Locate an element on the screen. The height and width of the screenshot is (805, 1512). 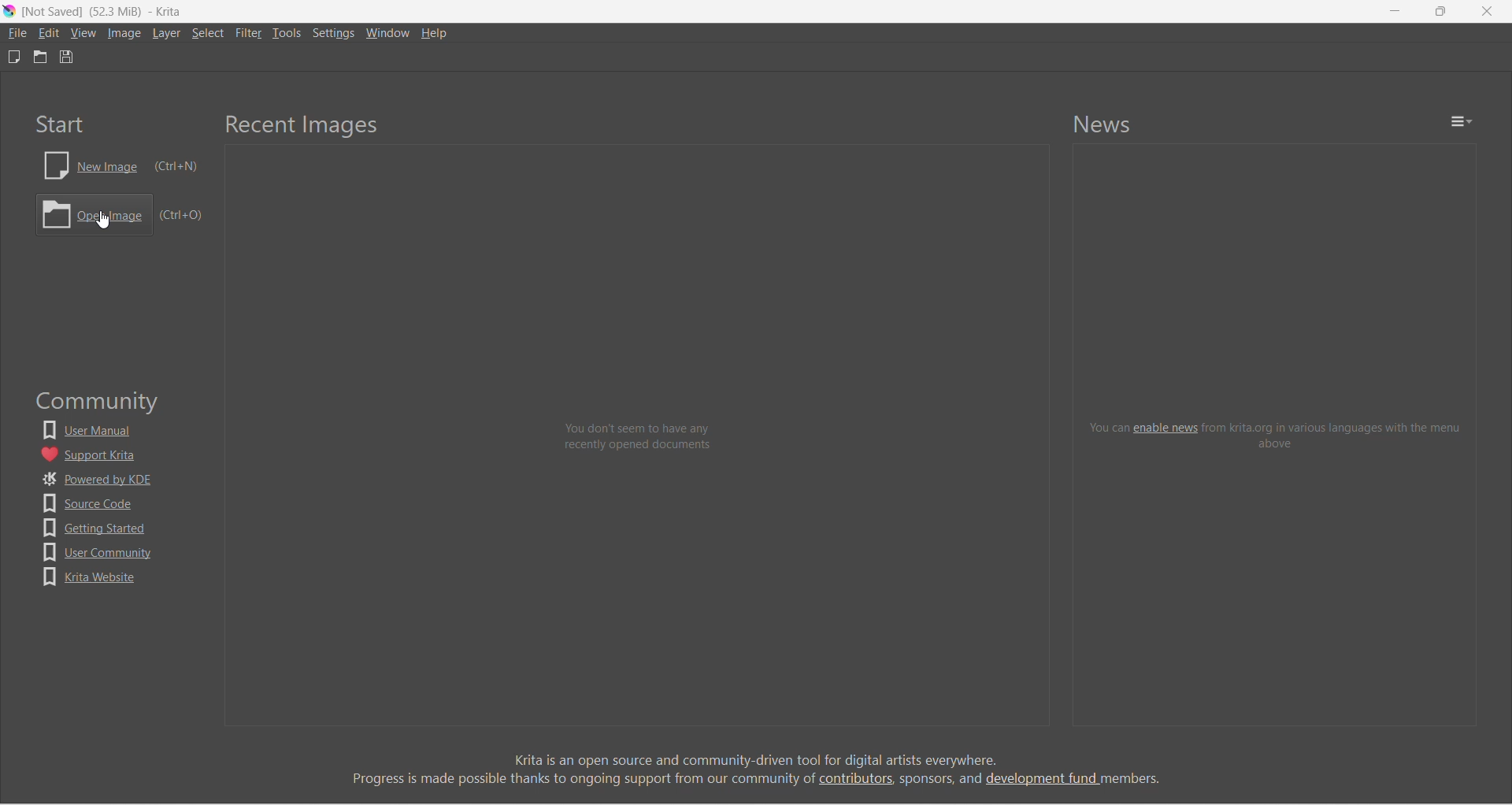
Software name, file name and size is located at coordinates (102, 12).